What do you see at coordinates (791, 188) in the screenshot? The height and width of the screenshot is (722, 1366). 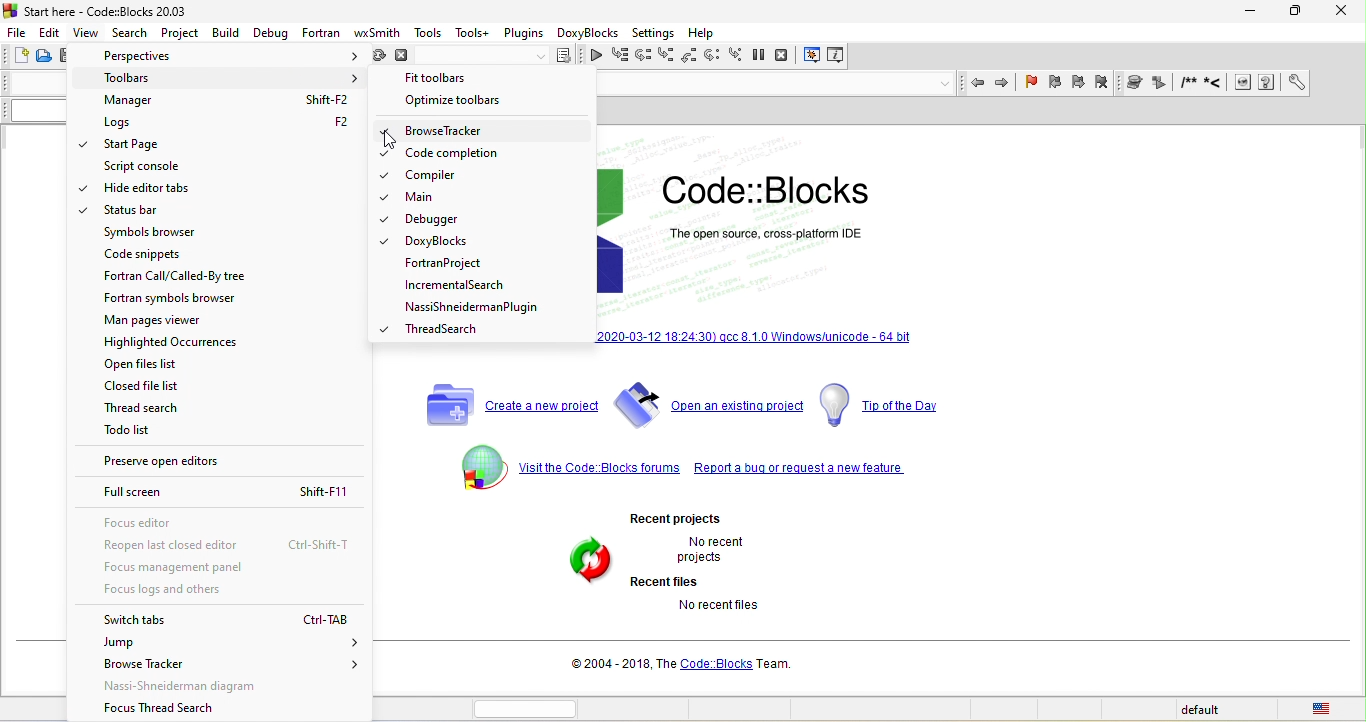 I see `code blocks ` at bounding box center [791, 188].